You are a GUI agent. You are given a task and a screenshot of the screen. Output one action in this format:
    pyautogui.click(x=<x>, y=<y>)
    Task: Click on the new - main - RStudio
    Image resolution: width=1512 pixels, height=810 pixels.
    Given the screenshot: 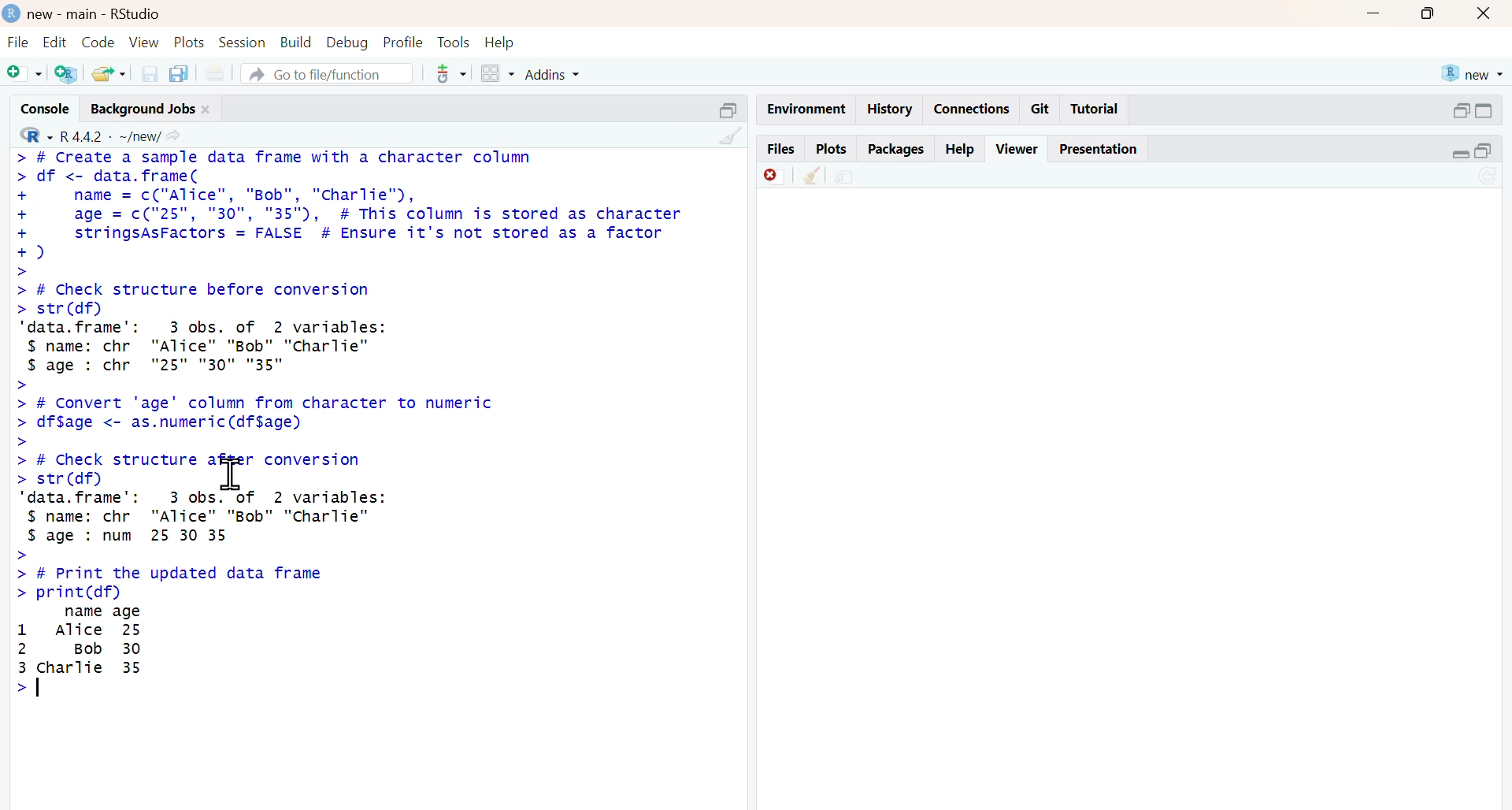 What is the action you would take?
    pyautogui.click(x=96, y=14)
    